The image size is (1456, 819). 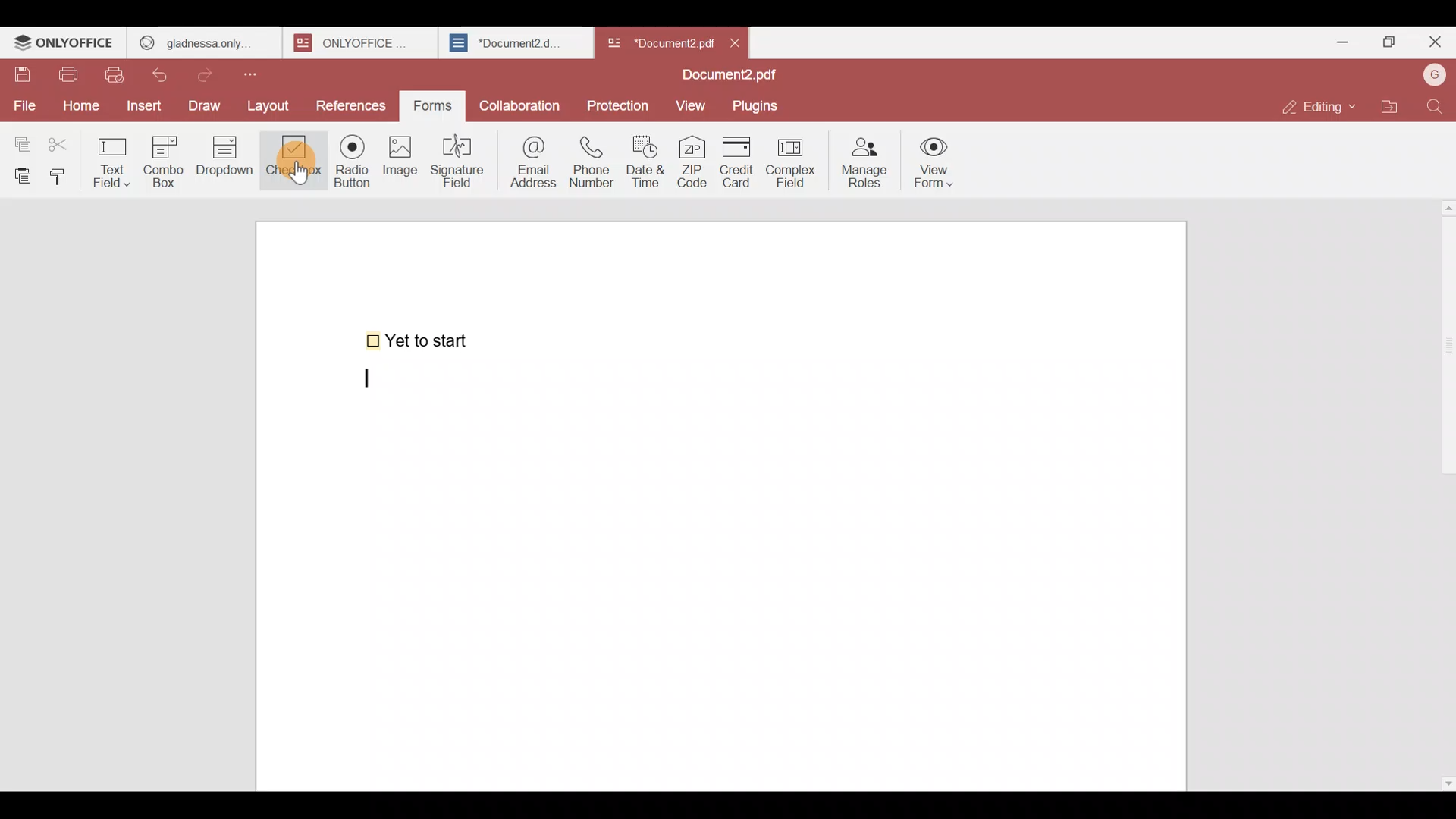 What do you see at coordinates (295, 173) in the screenshot?
I see `Cursor` at bounding box center [295, 173].